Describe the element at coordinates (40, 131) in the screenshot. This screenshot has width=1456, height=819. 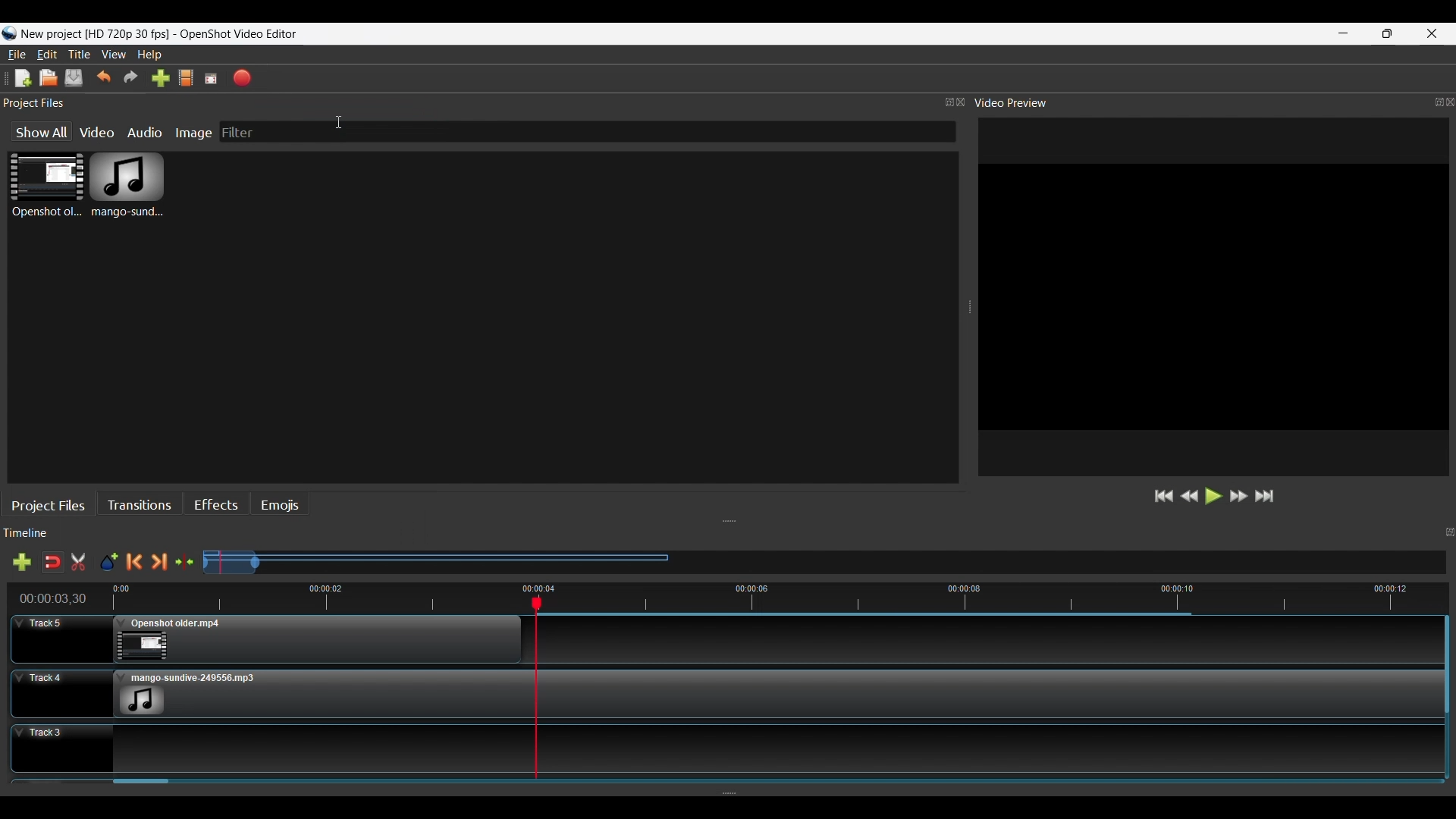
I see `show All` at that location.